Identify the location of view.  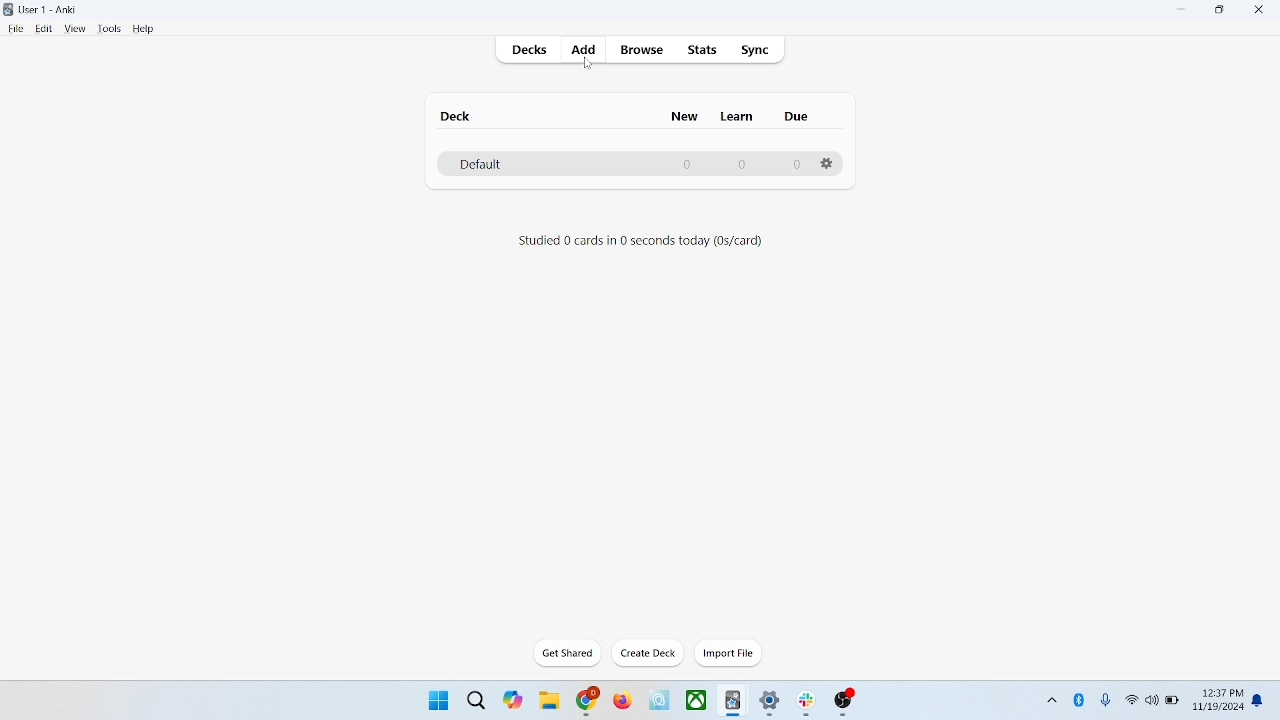
(76, 29).